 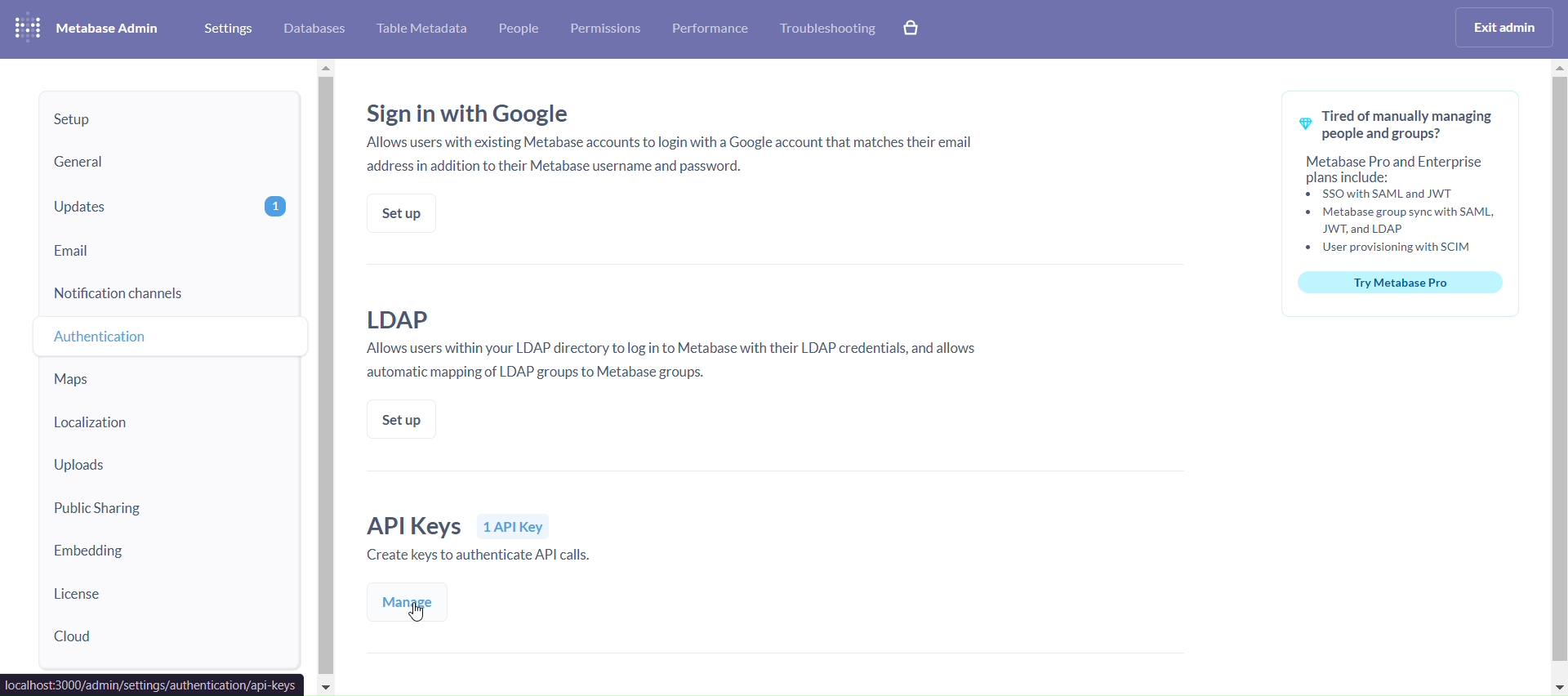 What do you see at coordinates (399, 212) in the screenshot?
I see `set up` at bounding box center [399, 212].